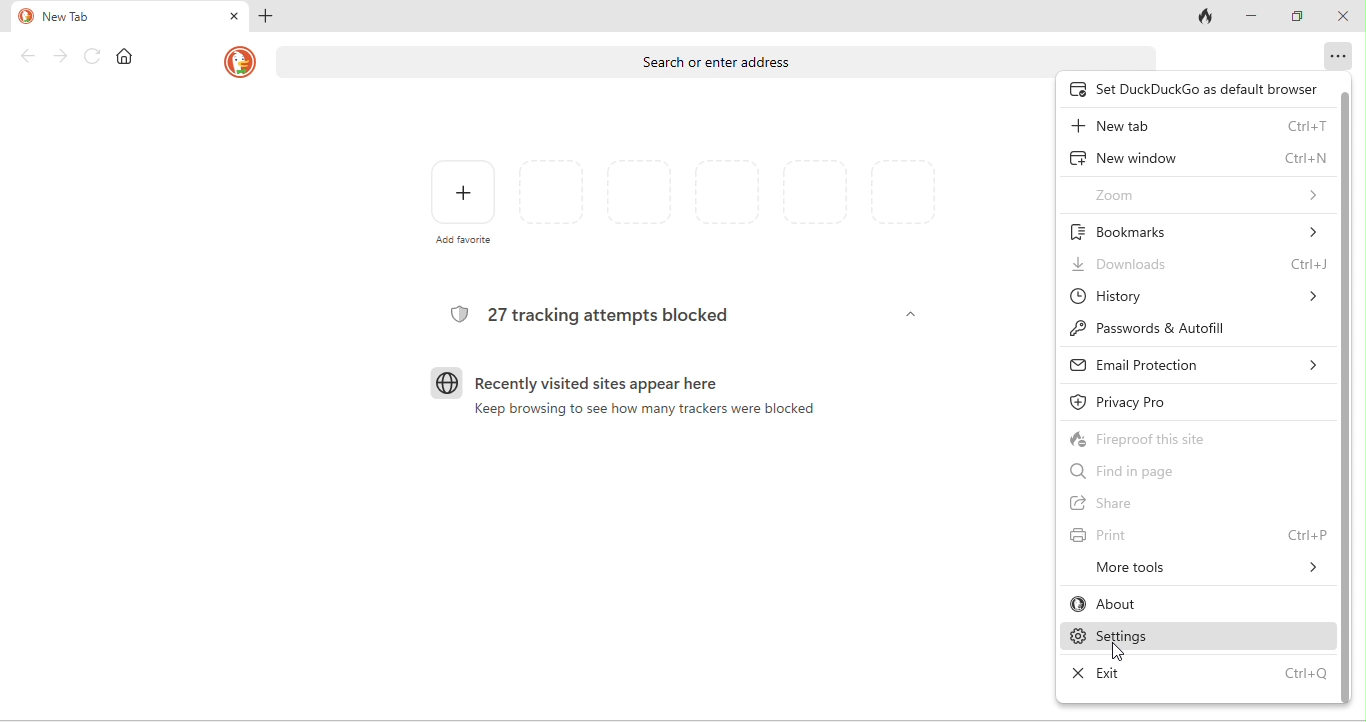 This screenshot has width=1366, height=722. Describe the element at coordinates (645, 413) in the screenshot. I see `keep browsing to see how many trackers were blocked` at that location.